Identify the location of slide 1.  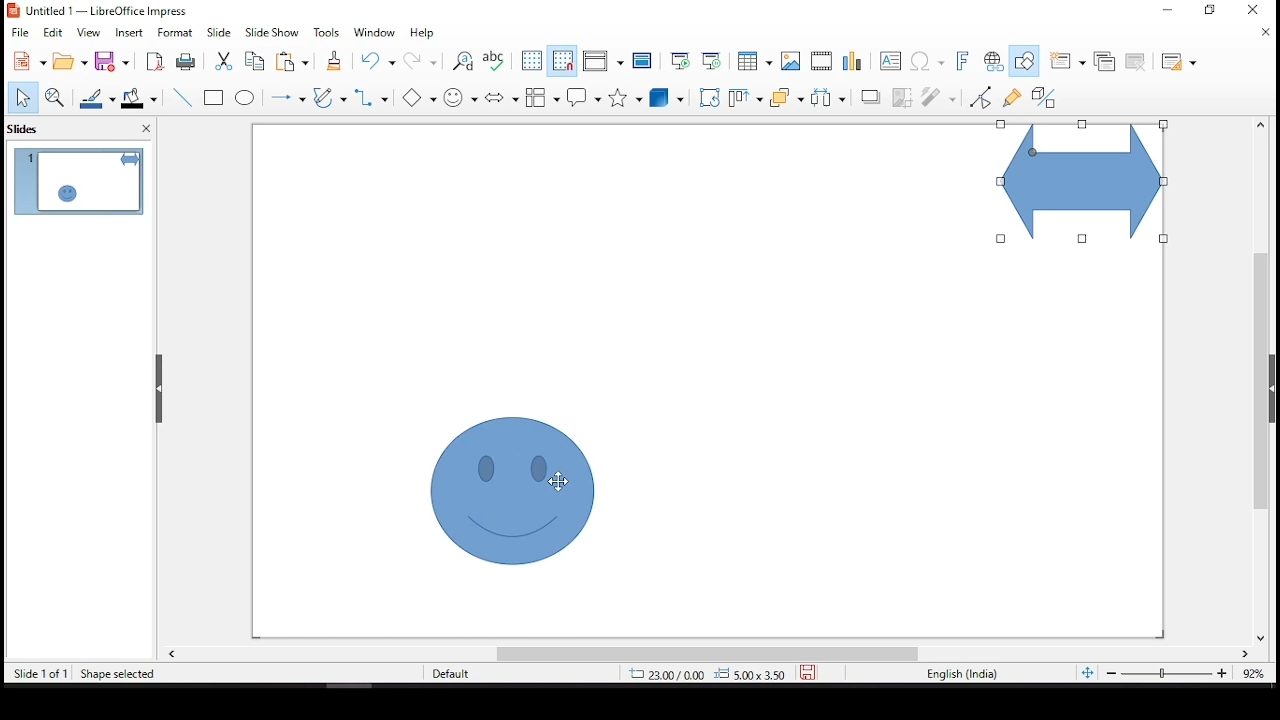
(78, 181).